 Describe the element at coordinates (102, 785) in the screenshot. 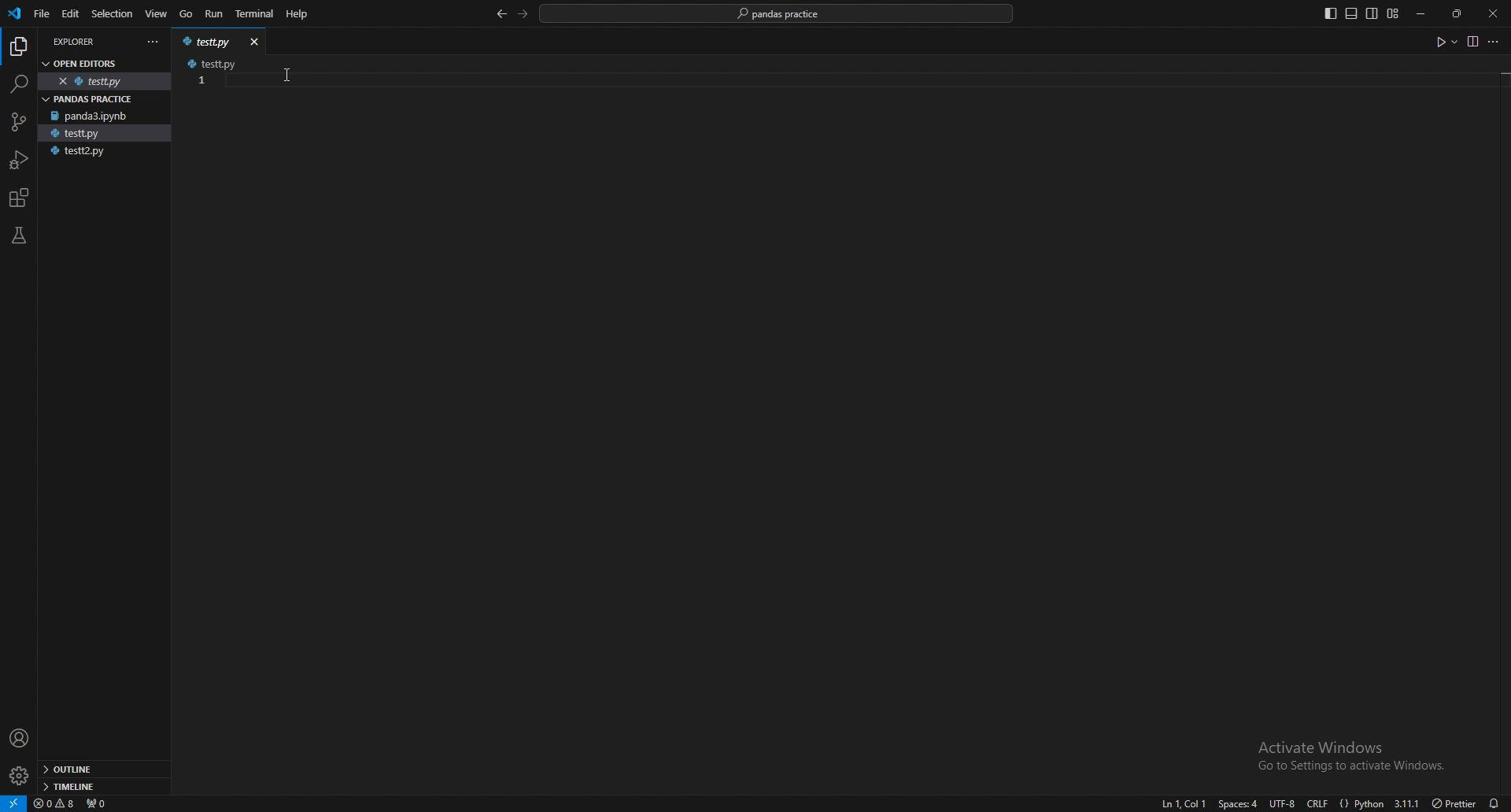

I see `timeline` at that location.